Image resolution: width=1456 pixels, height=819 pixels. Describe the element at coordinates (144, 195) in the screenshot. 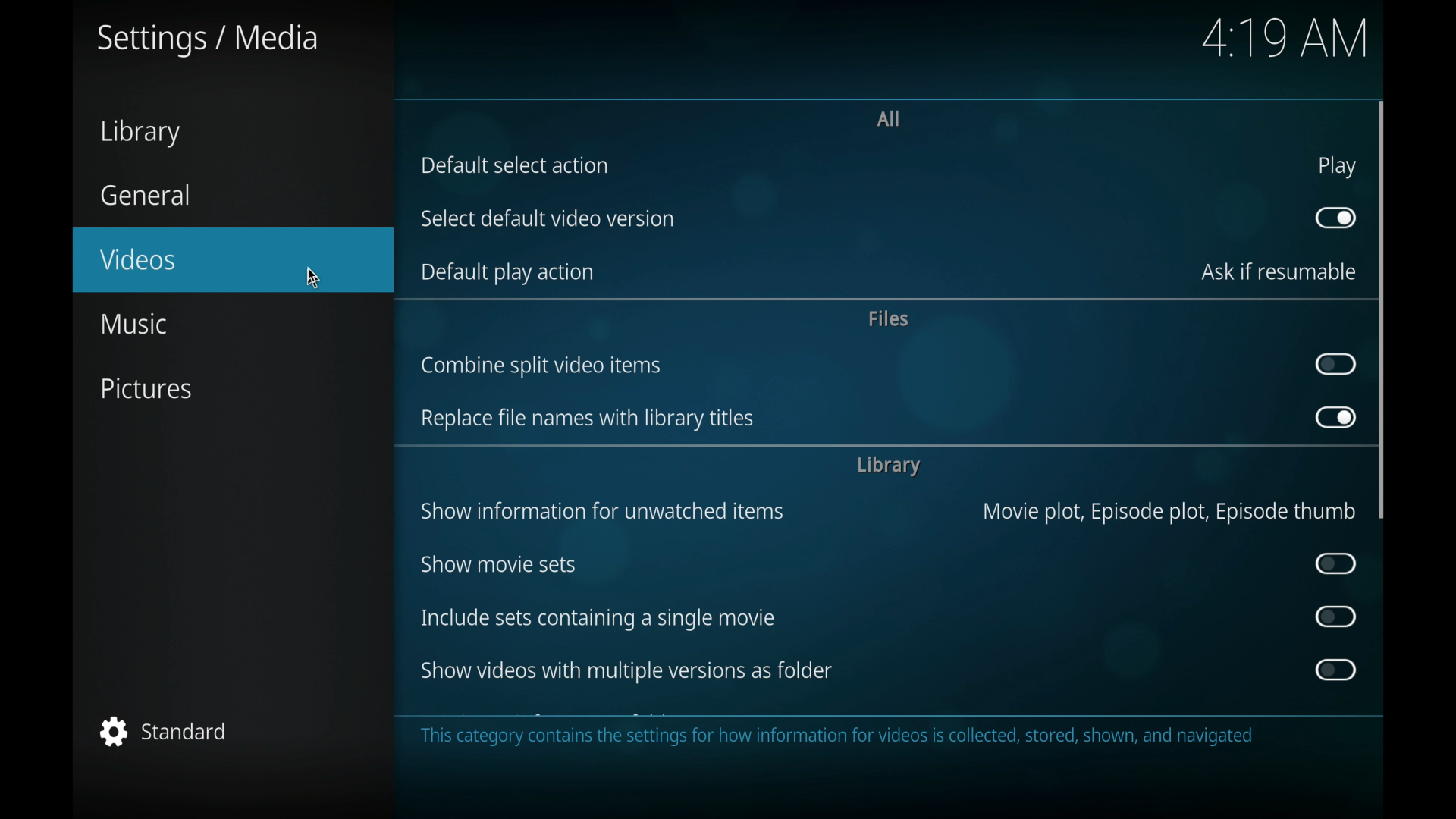

I see `general` at that location.